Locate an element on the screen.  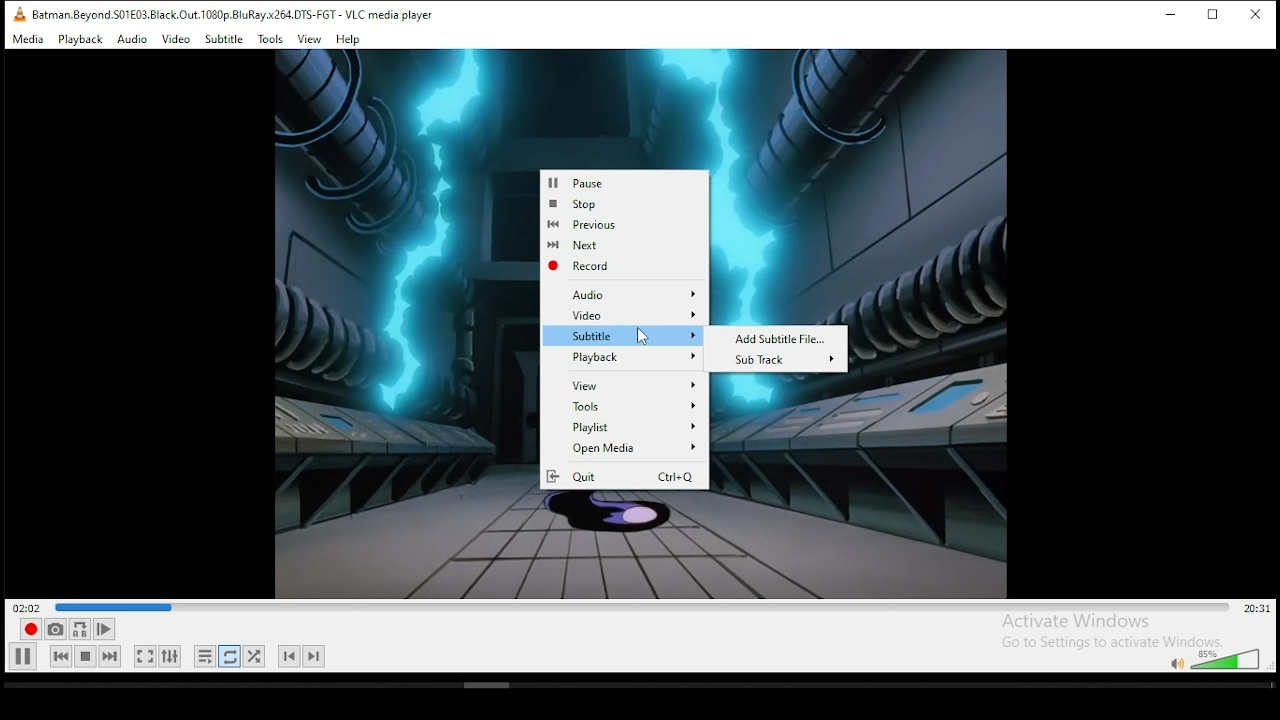
next media in playlist, skips forward when held is located at coordinates (111, 656).